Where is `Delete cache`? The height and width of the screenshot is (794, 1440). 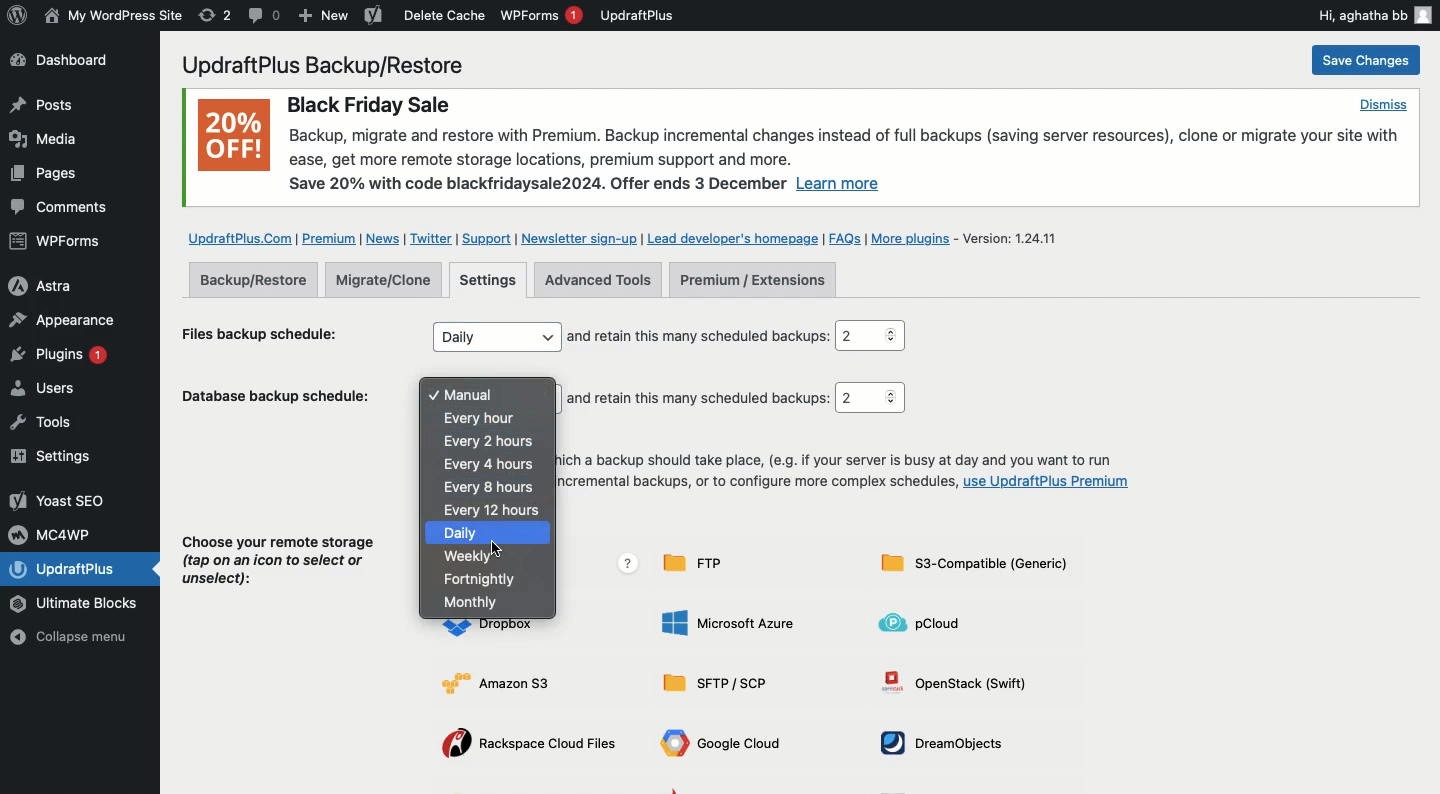
Delete cache is located at coordinates (445, 15).